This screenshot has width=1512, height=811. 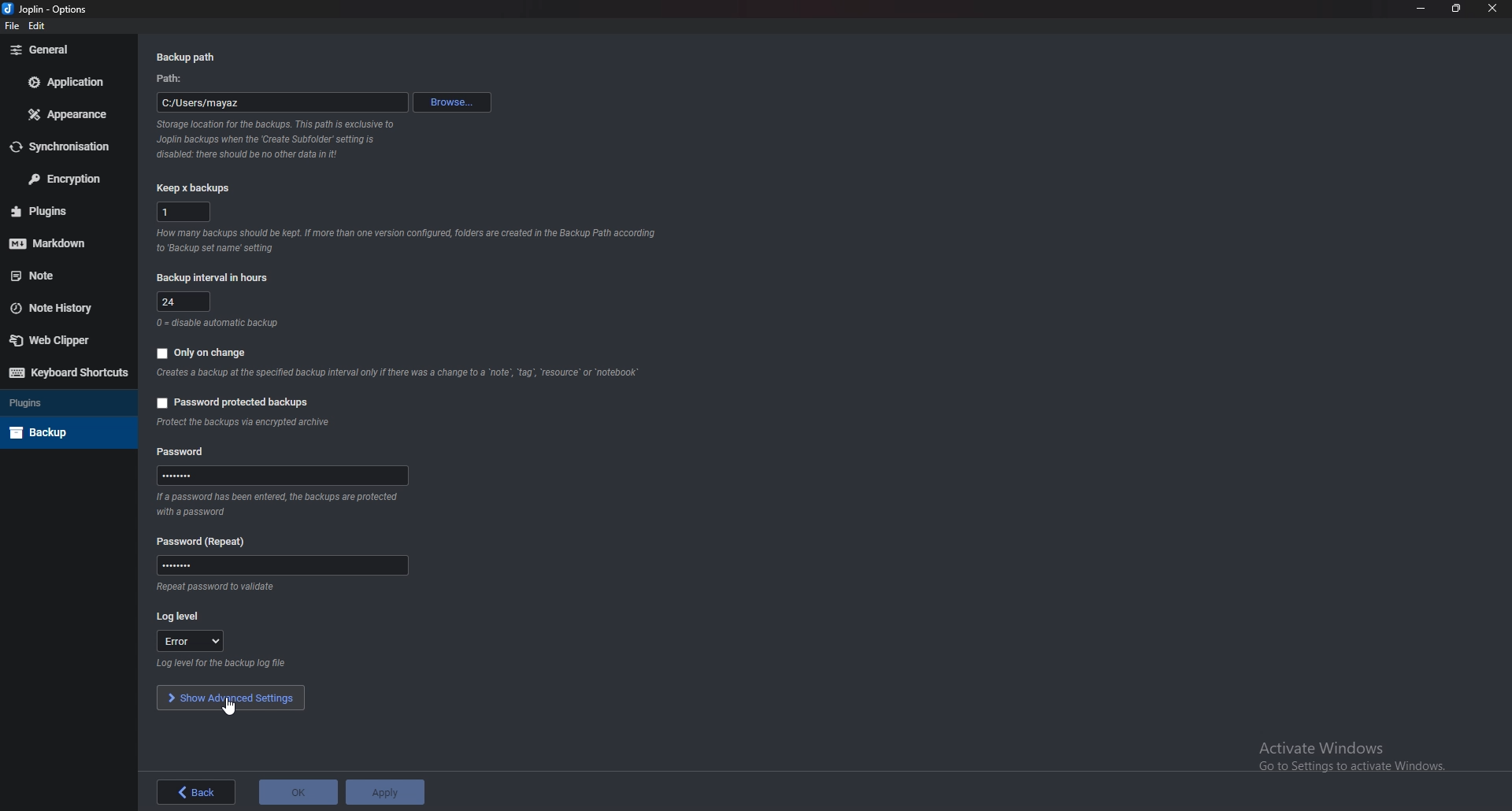 I want to click on Show advanced settings, so click(x=232, y=696).